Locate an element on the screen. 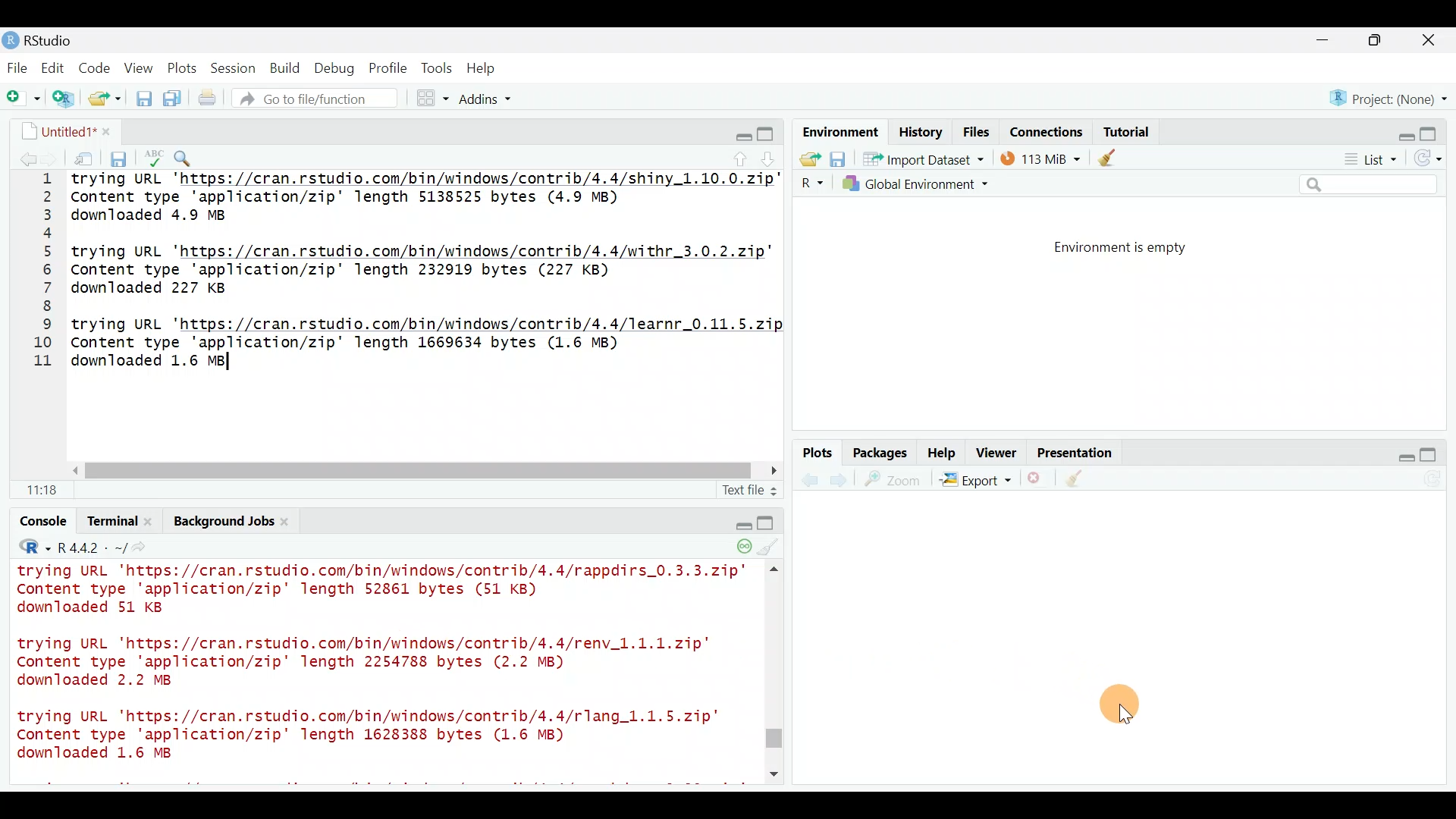  New file is located at coordinates (22, 99).